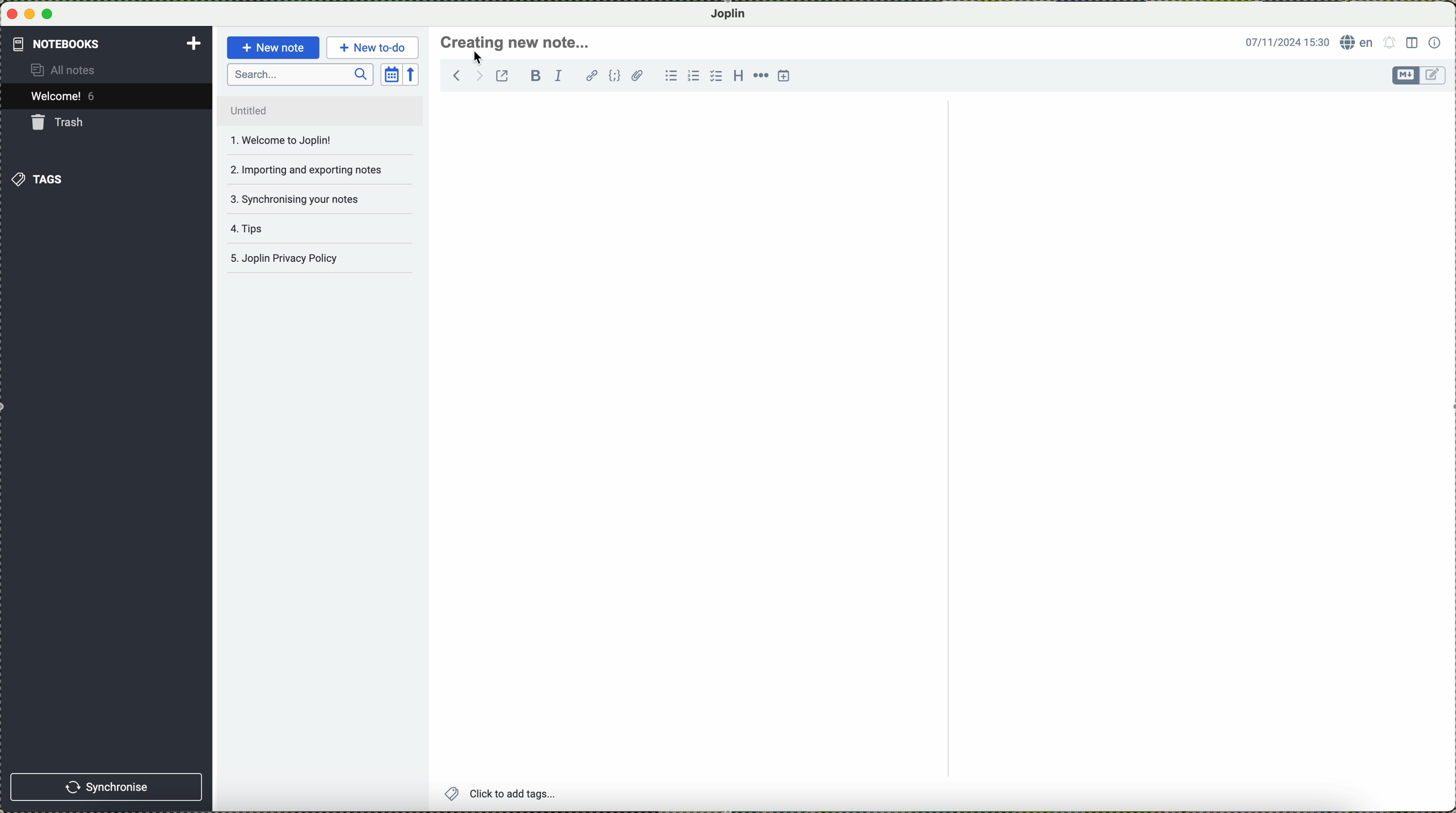 The image size is (1456, 813). I want to click on numbered list, so click(693, 75).